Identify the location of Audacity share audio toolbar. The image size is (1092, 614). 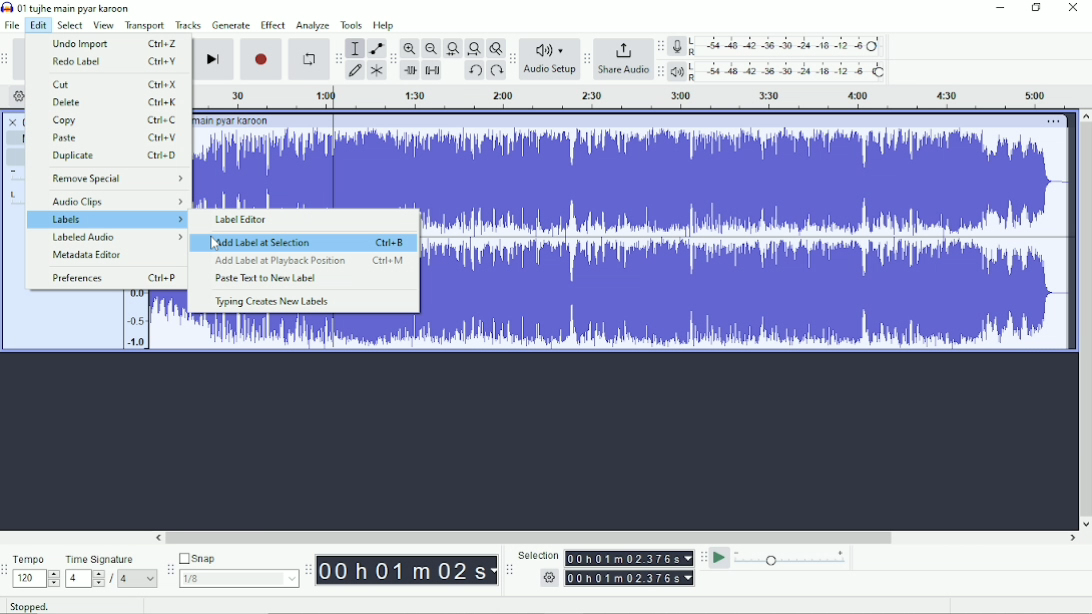
(587, 60).